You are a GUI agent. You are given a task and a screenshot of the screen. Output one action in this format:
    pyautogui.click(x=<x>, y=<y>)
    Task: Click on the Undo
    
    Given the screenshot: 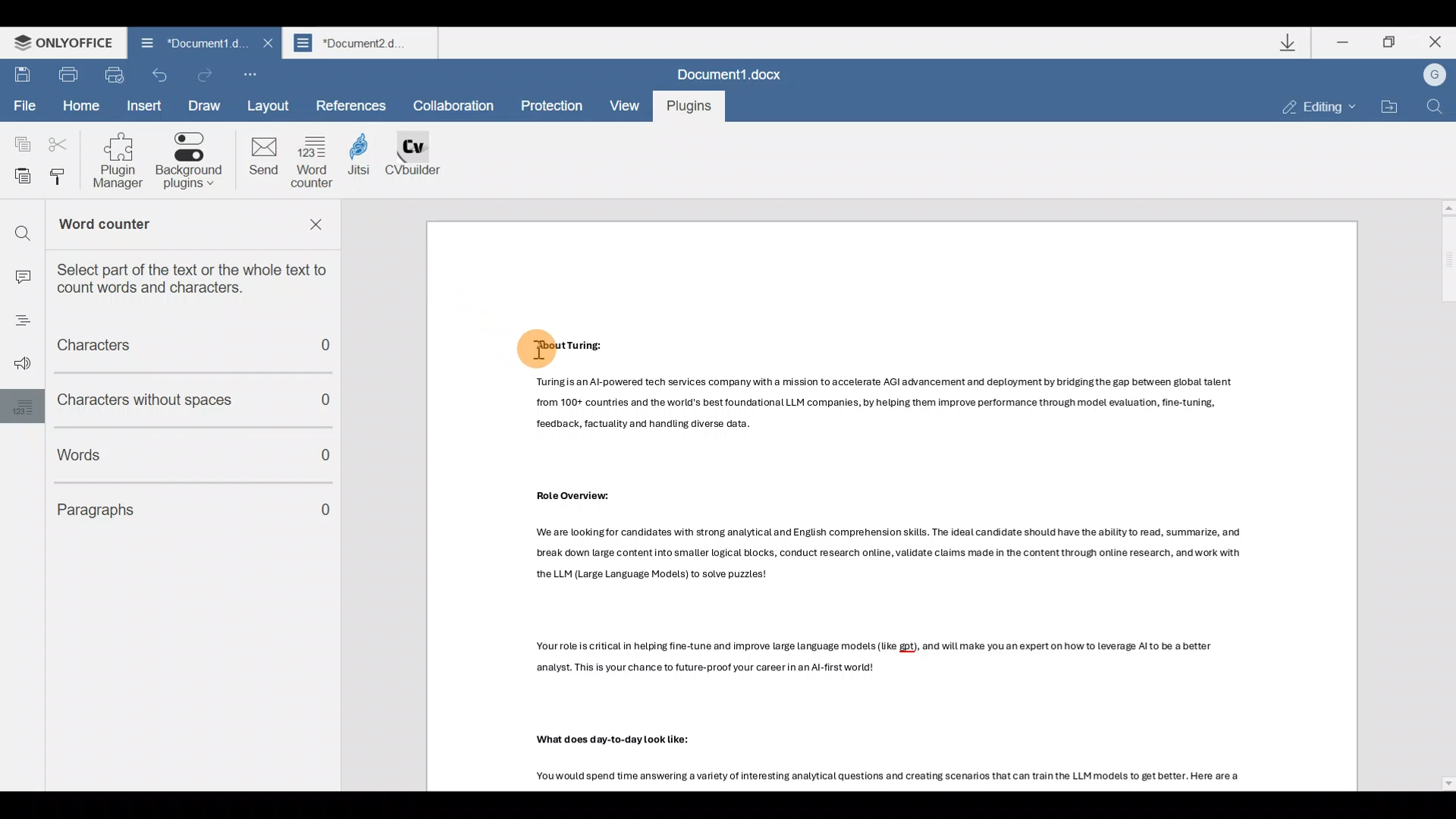 What is the action you would take?
    pyautogui.click(x=159, y=76)
    